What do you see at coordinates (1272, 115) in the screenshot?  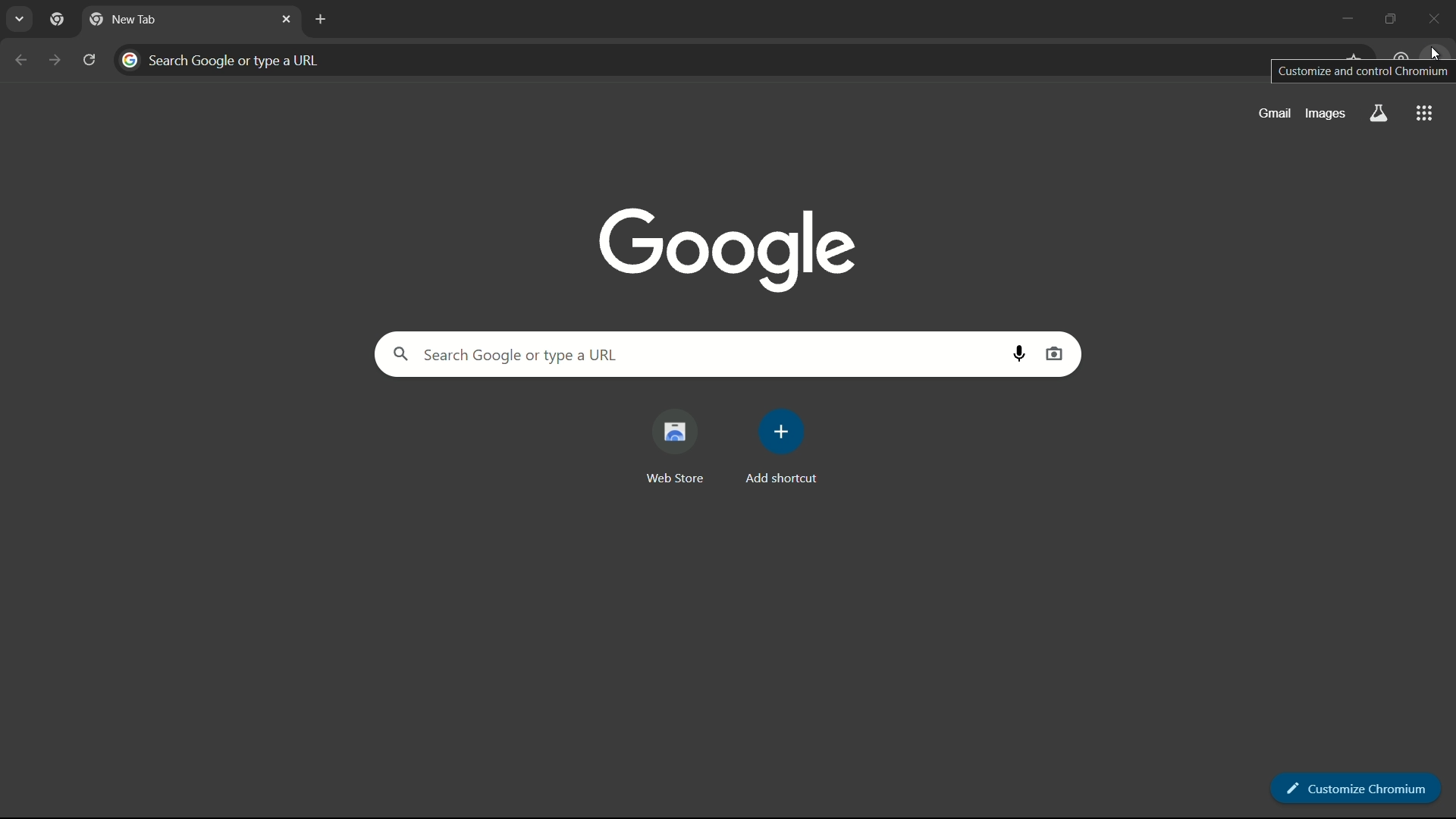 I see `gmail` at bounding box center [1272, 115].